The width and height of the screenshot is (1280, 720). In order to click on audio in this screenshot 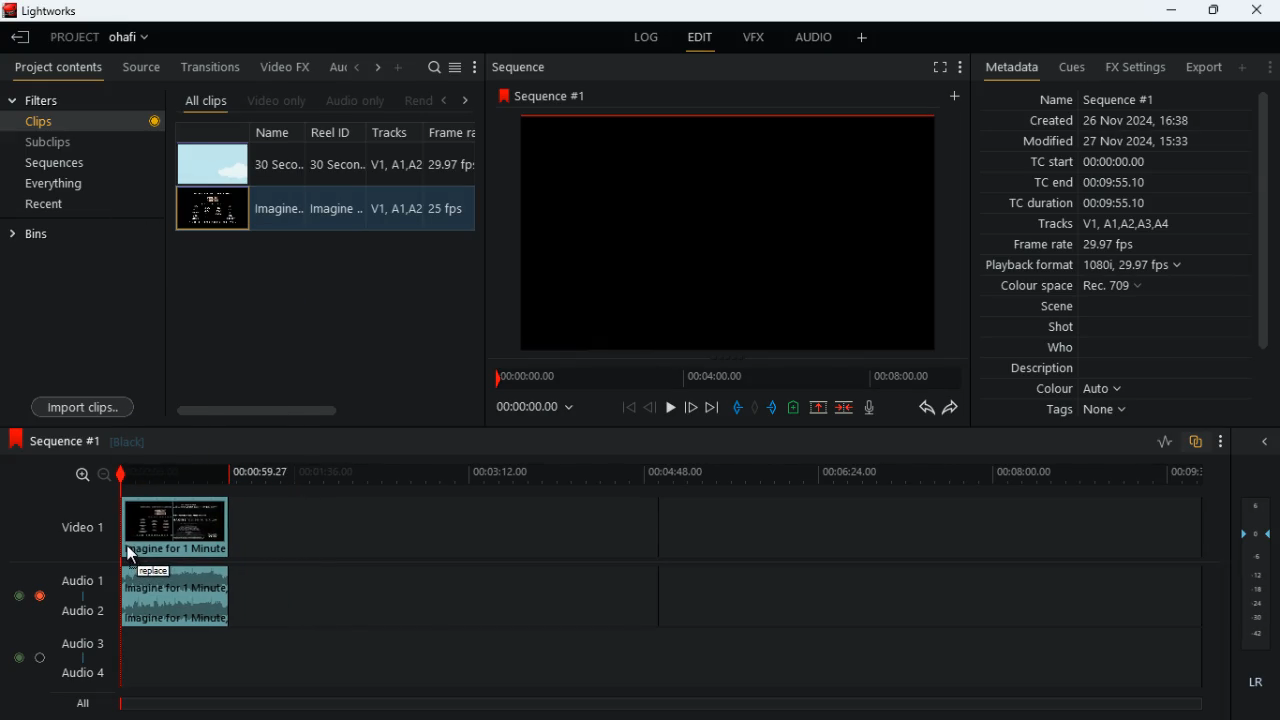, I will do `click(178, 598)`.